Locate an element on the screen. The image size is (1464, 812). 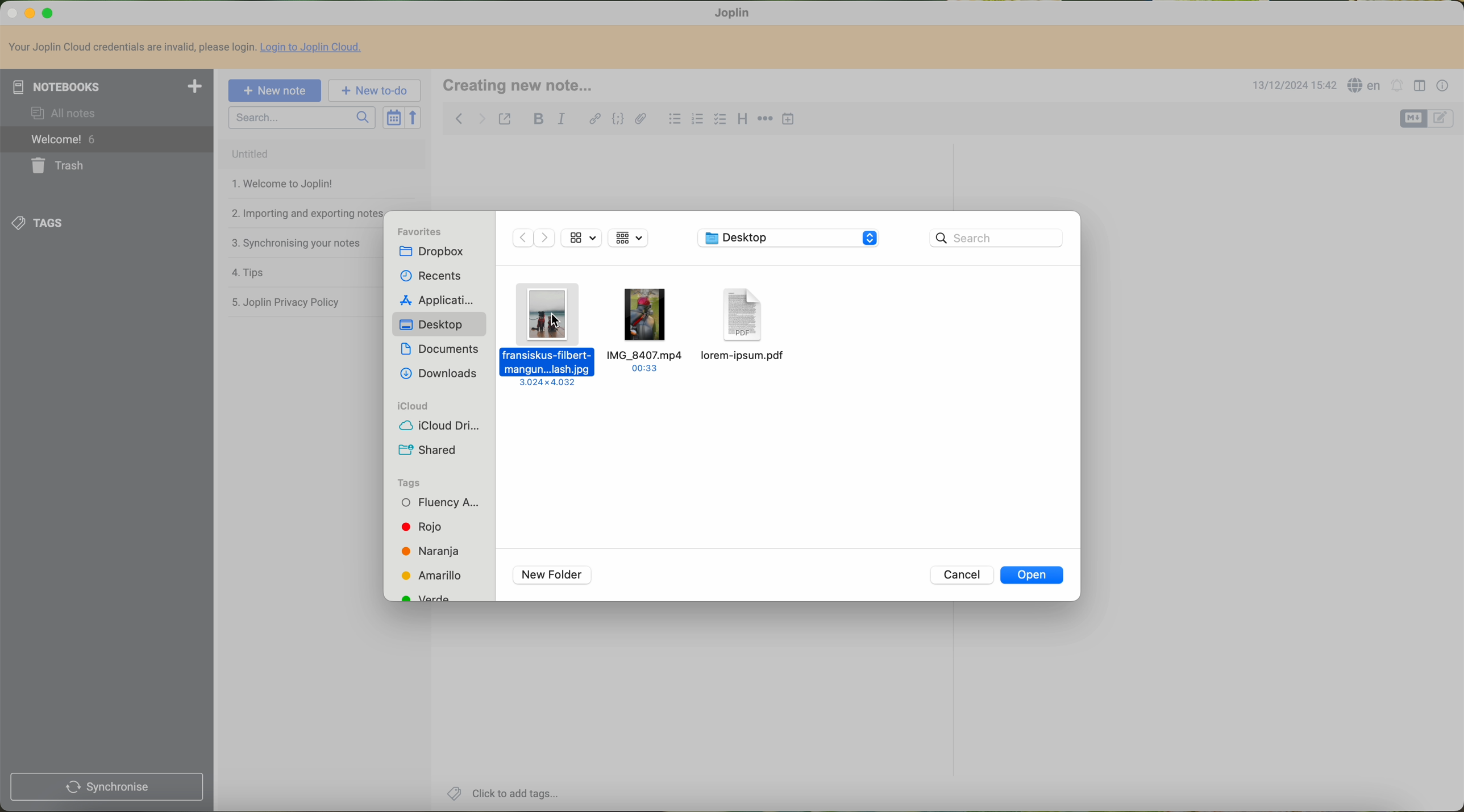
bold is located at coordinates (539, 119).